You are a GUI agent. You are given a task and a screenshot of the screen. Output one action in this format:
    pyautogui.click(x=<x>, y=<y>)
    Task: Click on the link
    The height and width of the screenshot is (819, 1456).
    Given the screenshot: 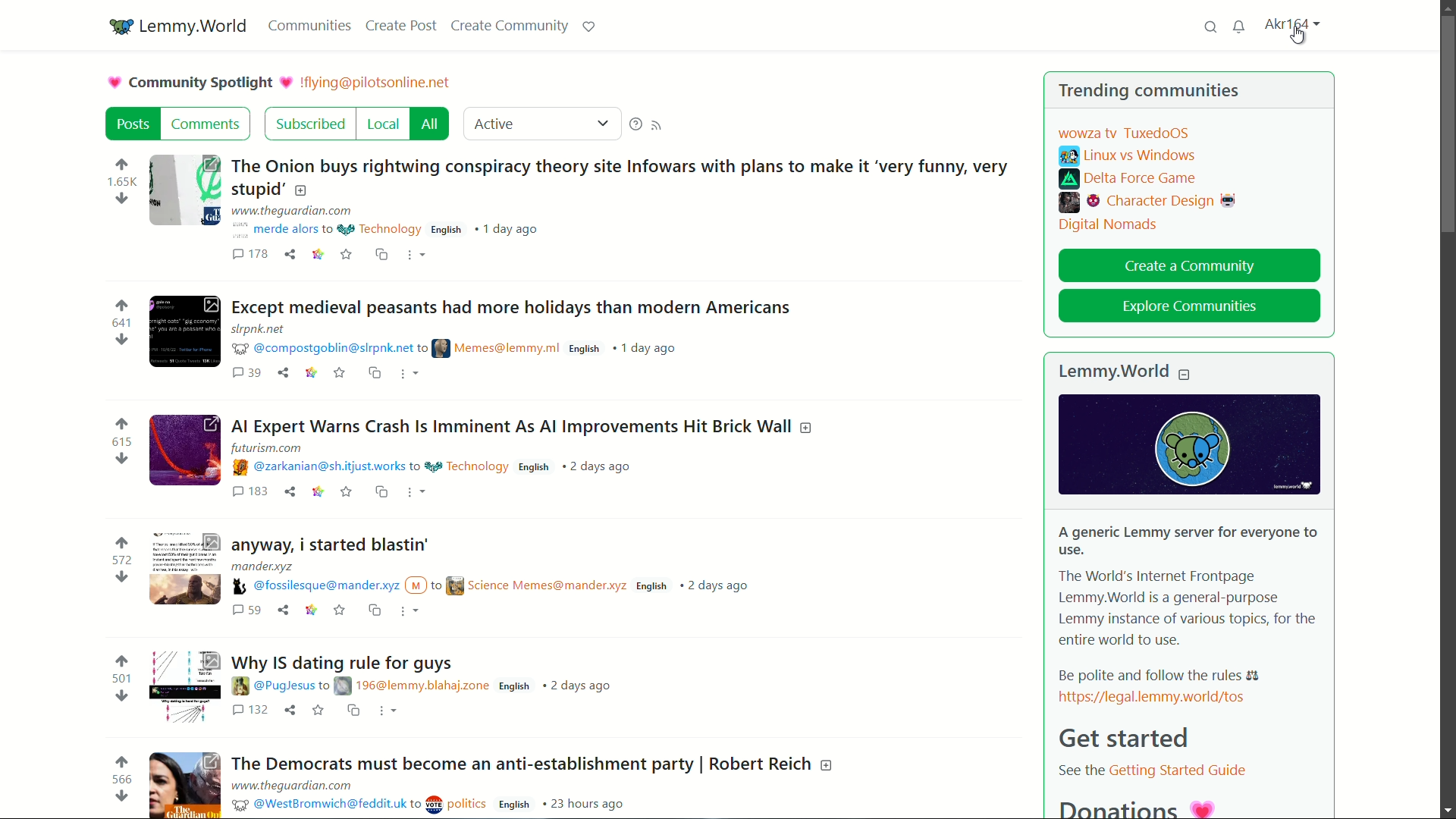 What is the action you would take?
    pyautogui.click(x=316, y=254)
    